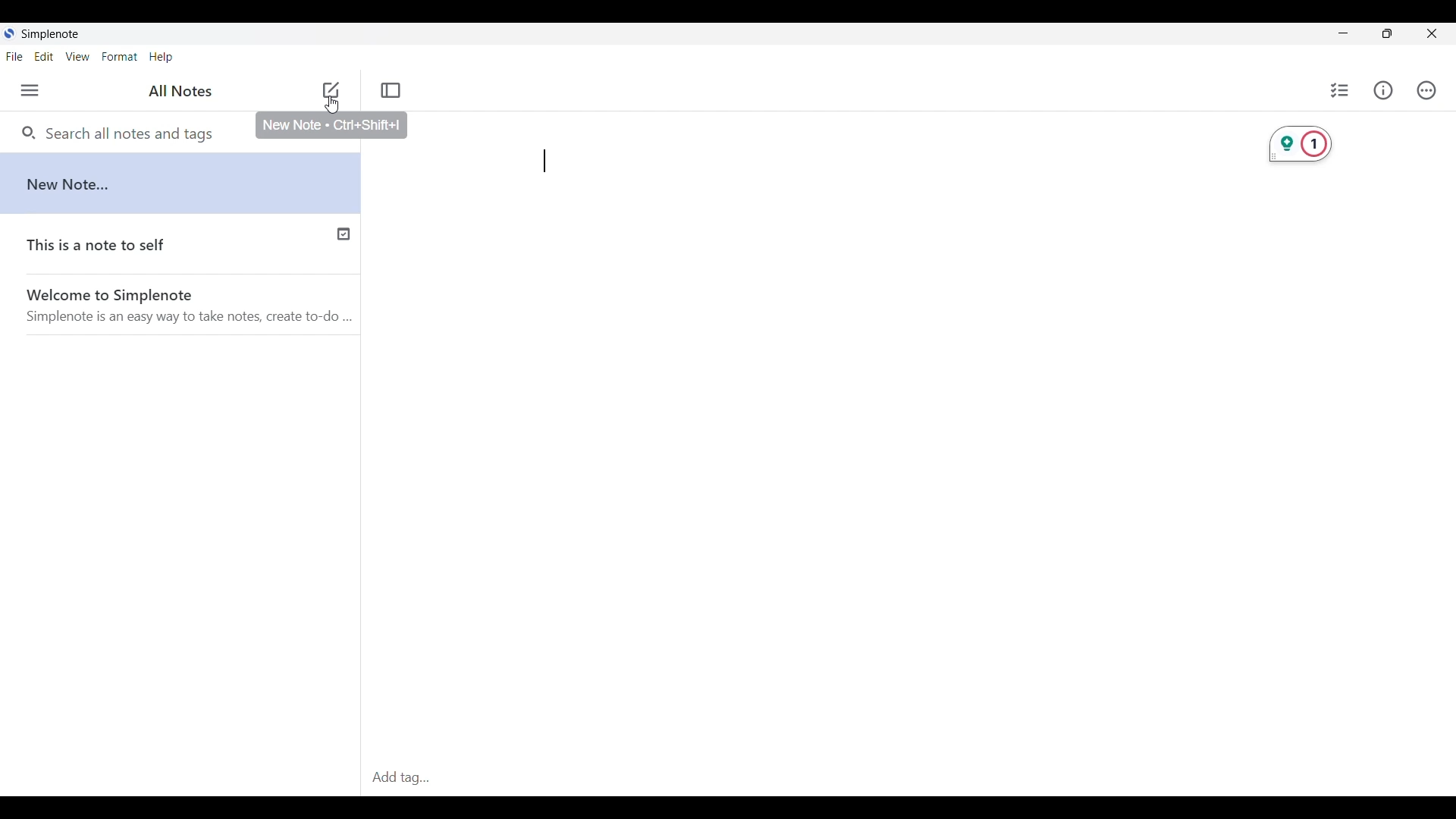 This screenshot has width=1456, height=819. Describe the element at coordinates (14, 56) in the screenshot. I see `File menu` at that location.